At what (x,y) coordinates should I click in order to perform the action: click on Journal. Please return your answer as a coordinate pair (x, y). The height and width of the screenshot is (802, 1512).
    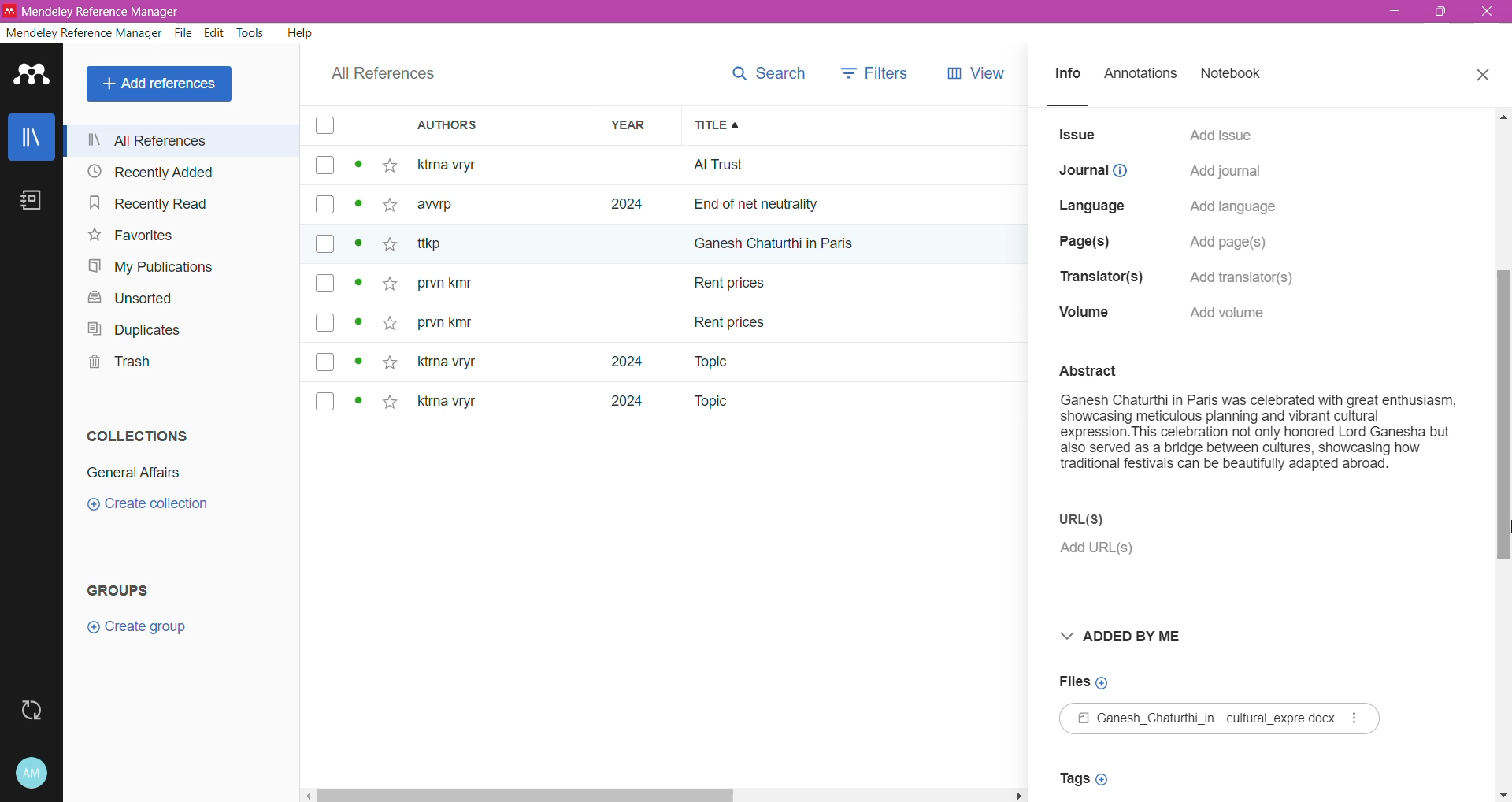
    Looking at the image, I should click on (1094, 171).